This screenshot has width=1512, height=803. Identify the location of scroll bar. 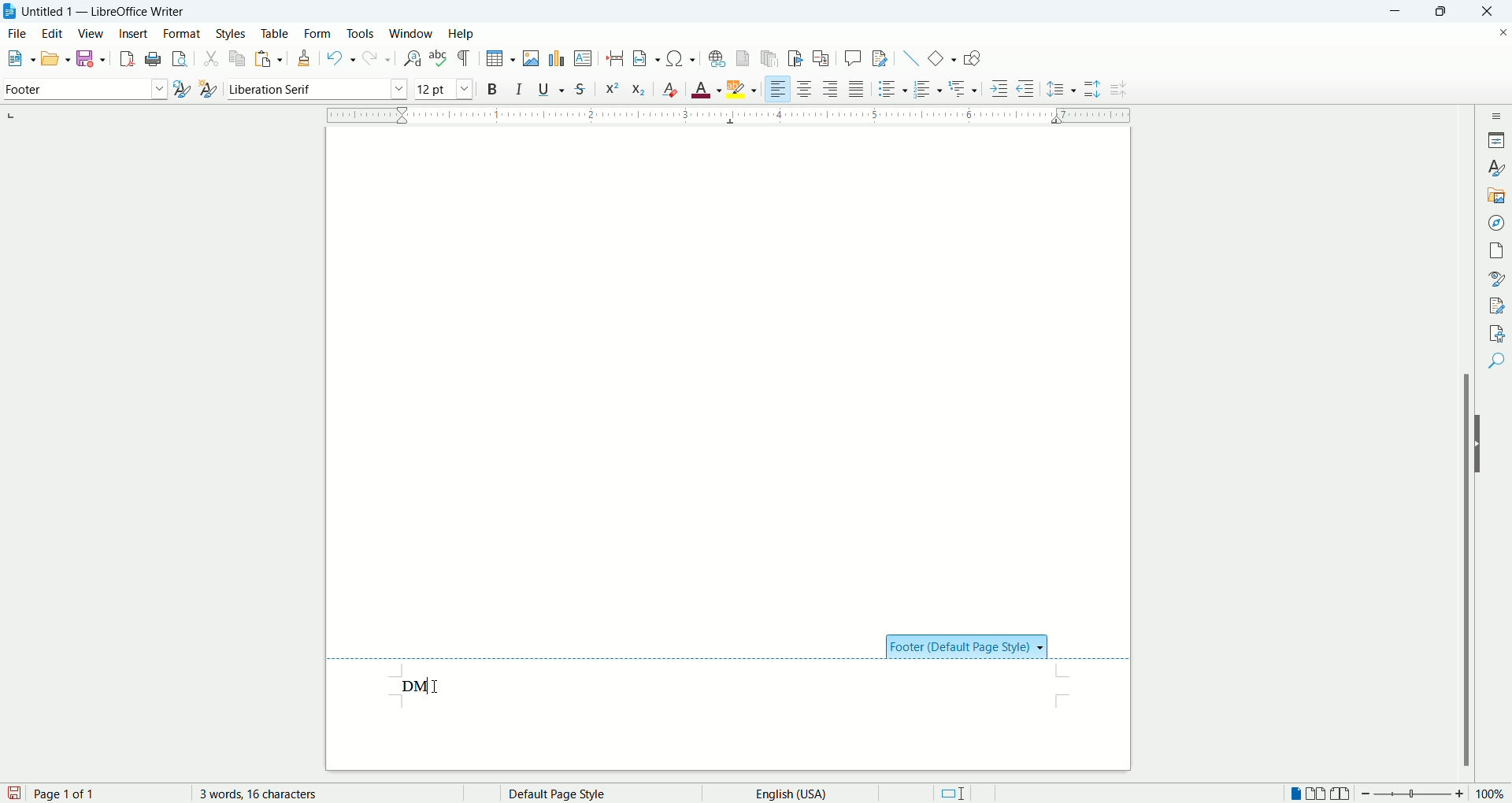
(1469, 442).